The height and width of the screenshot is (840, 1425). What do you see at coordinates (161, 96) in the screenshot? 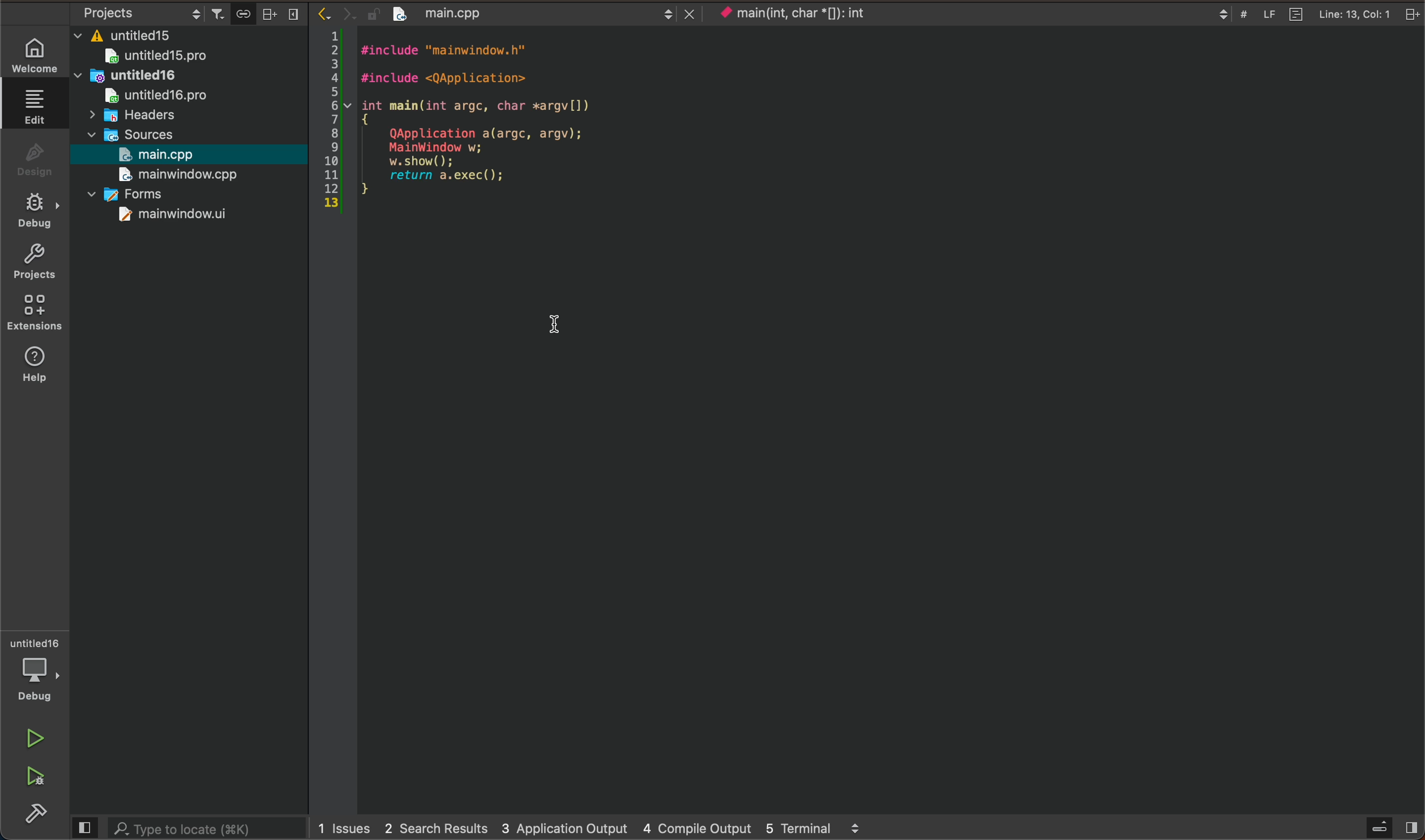
I see `untitledpro` at bounding box center [161, 96].